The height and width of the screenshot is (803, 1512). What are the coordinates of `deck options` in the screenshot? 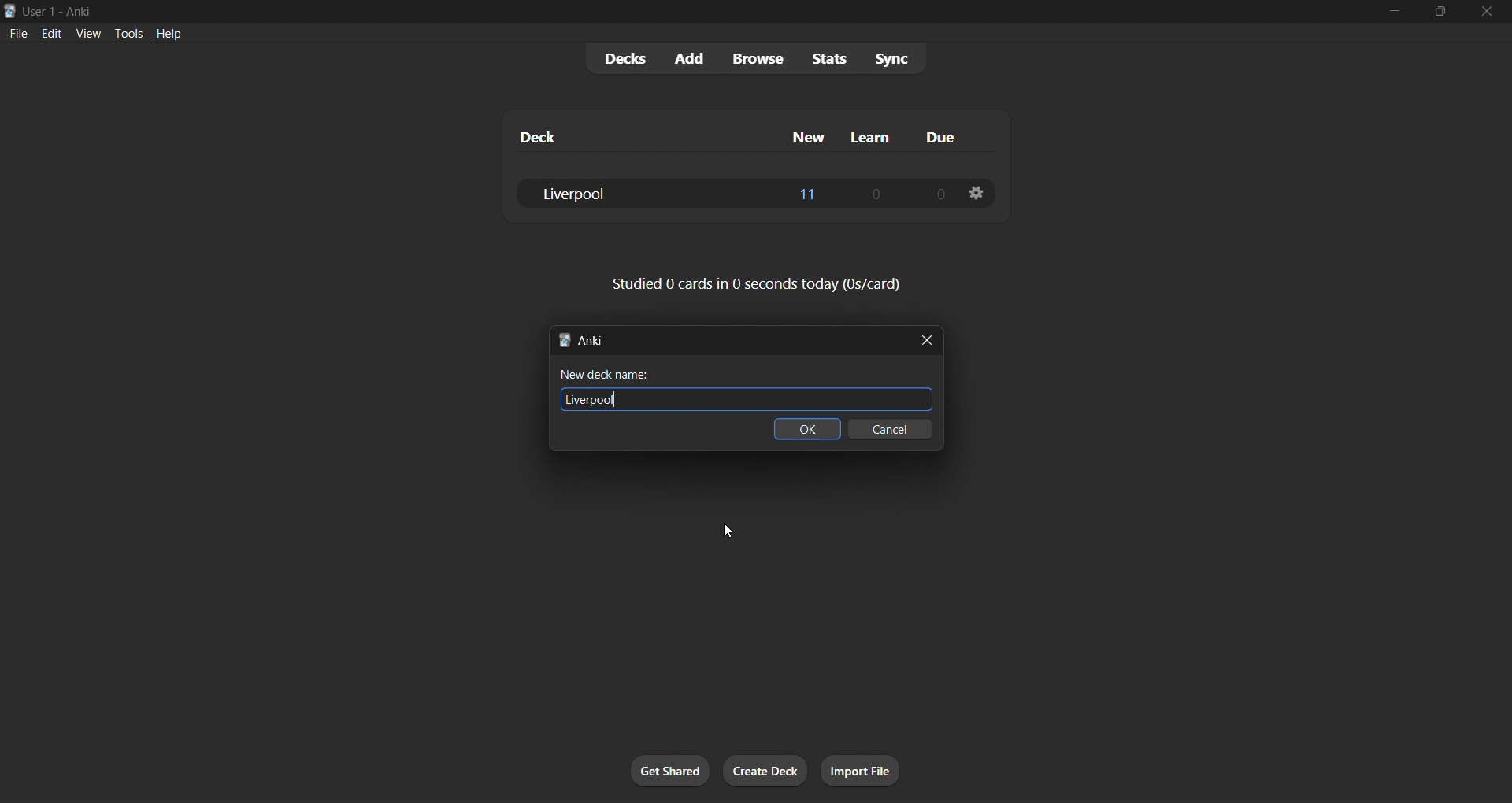 It's located at (977, 195).